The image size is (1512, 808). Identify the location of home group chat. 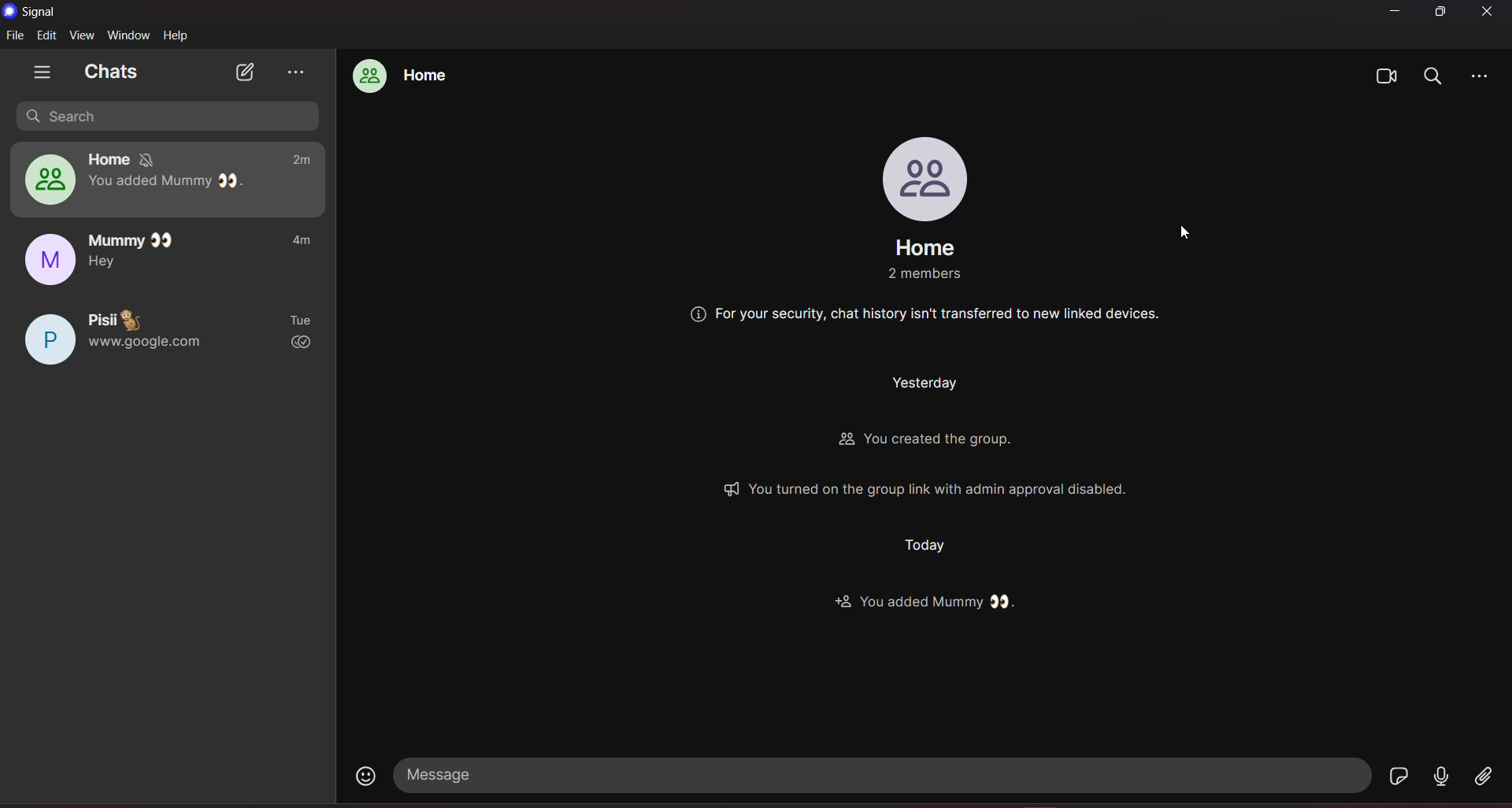
(403, 75).